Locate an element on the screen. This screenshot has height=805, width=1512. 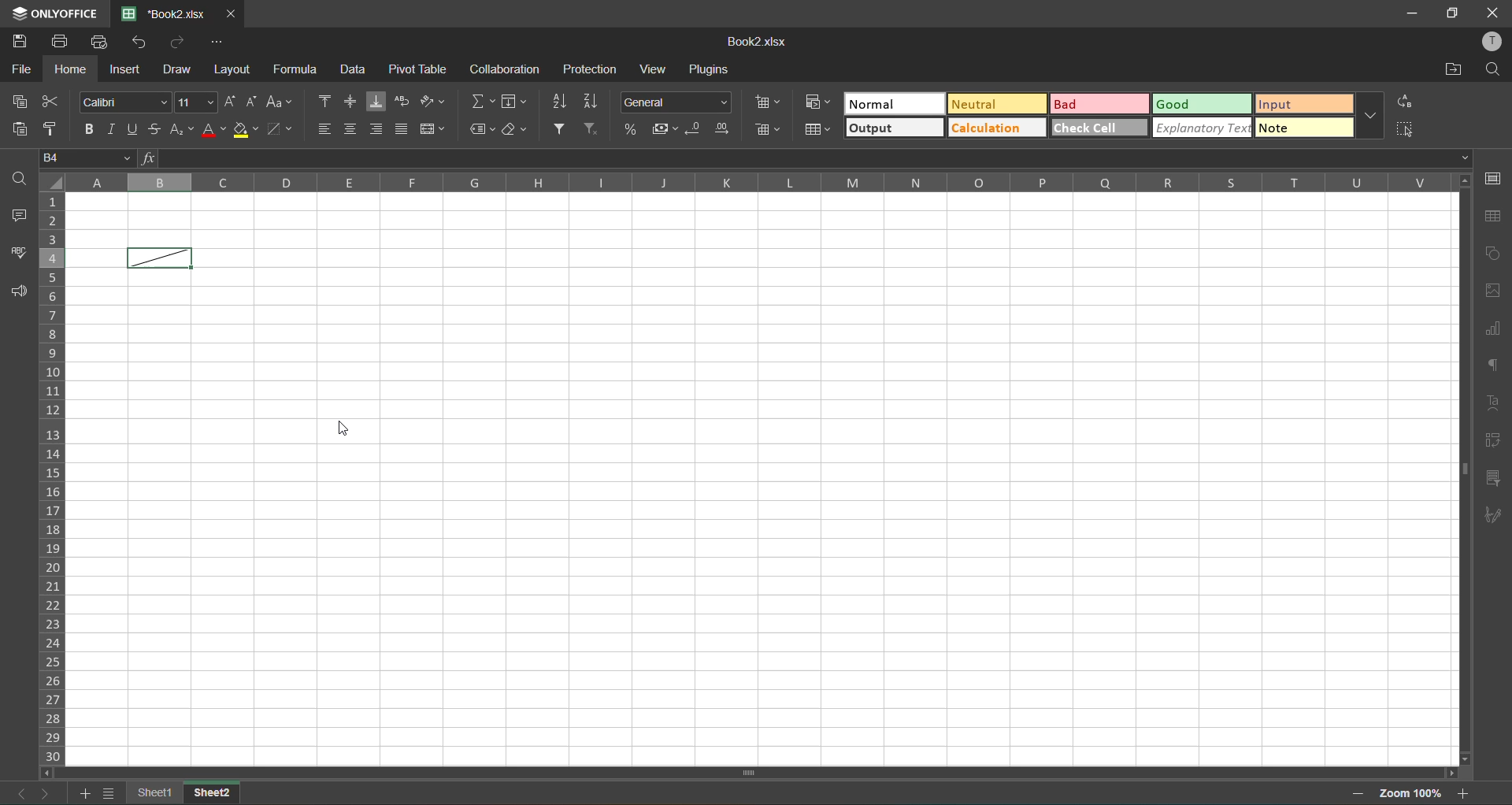
print is located at coordinates (61, 43).